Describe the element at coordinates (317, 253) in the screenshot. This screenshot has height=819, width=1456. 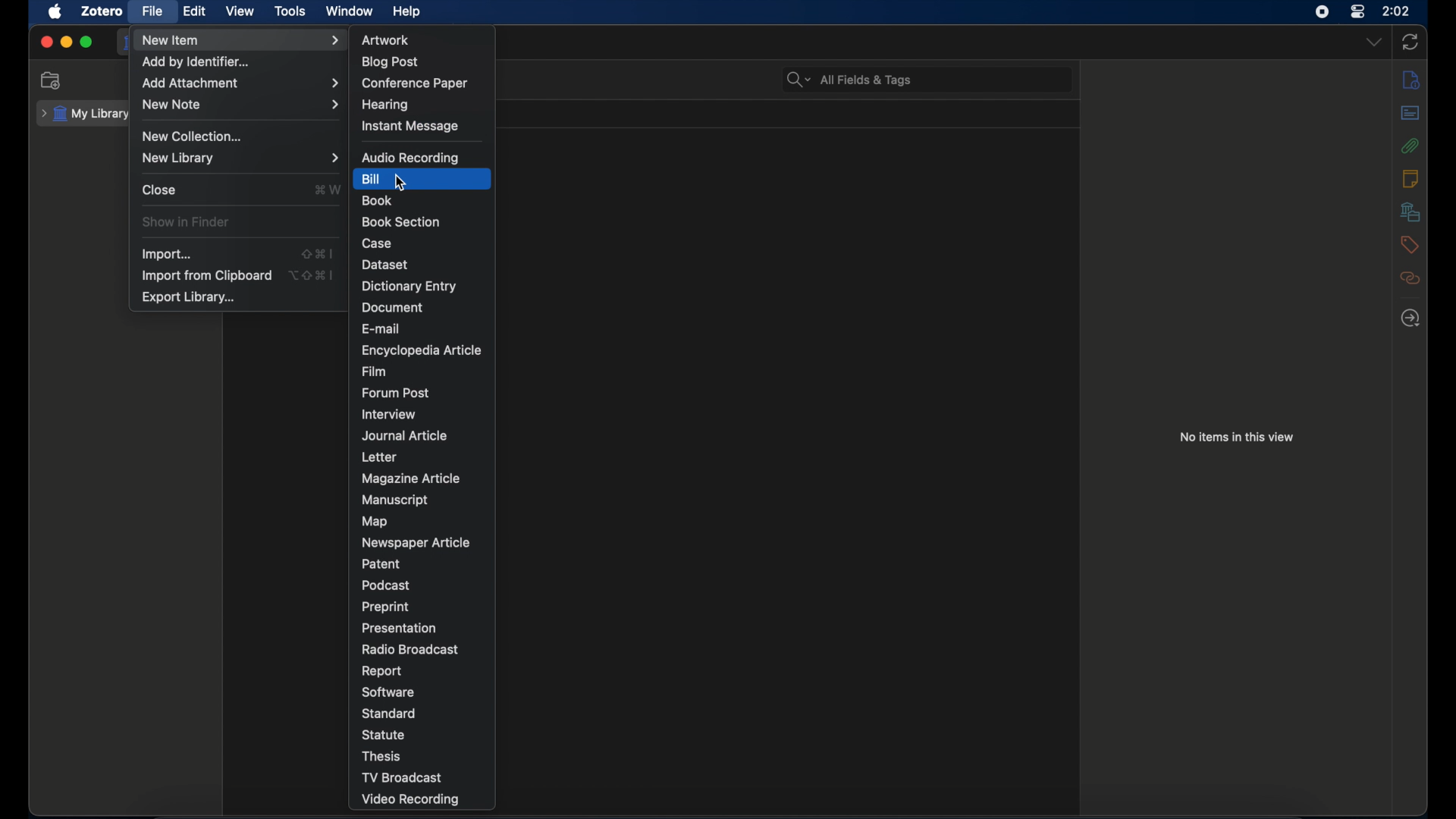
I see `shortcut` at that location.